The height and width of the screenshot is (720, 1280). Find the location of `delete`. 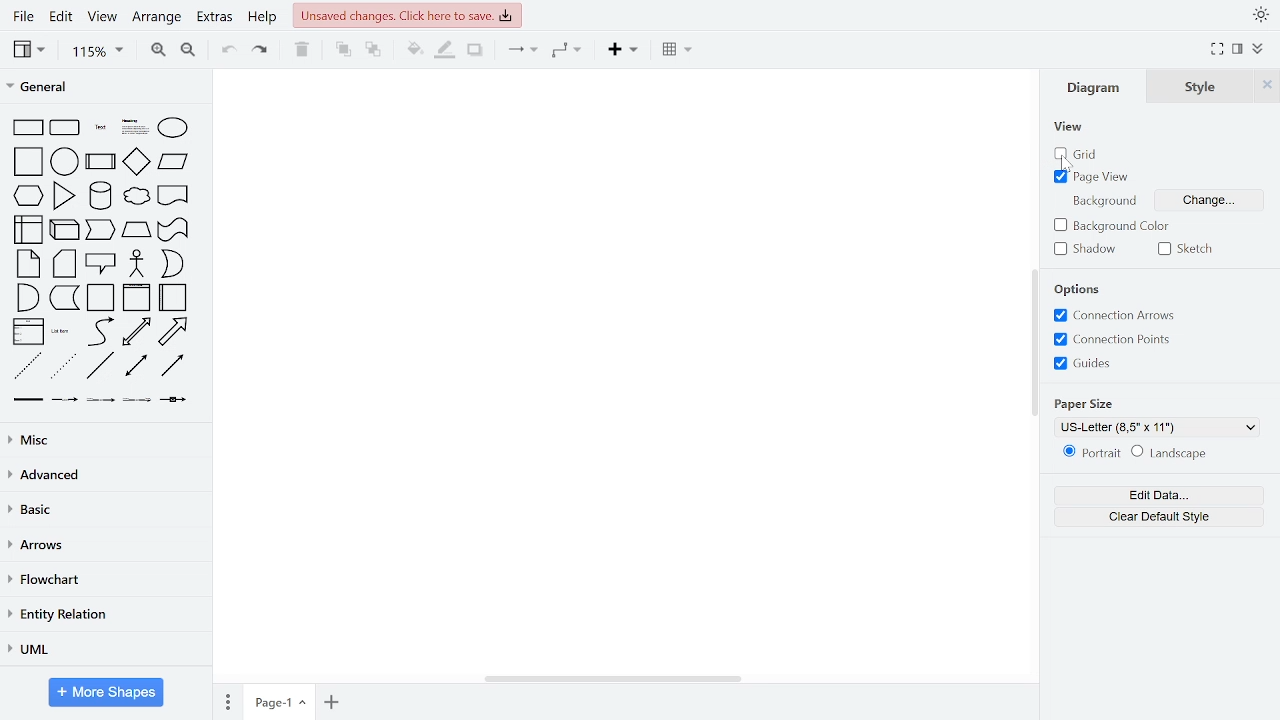

delete is located at coordinates (301, 49).